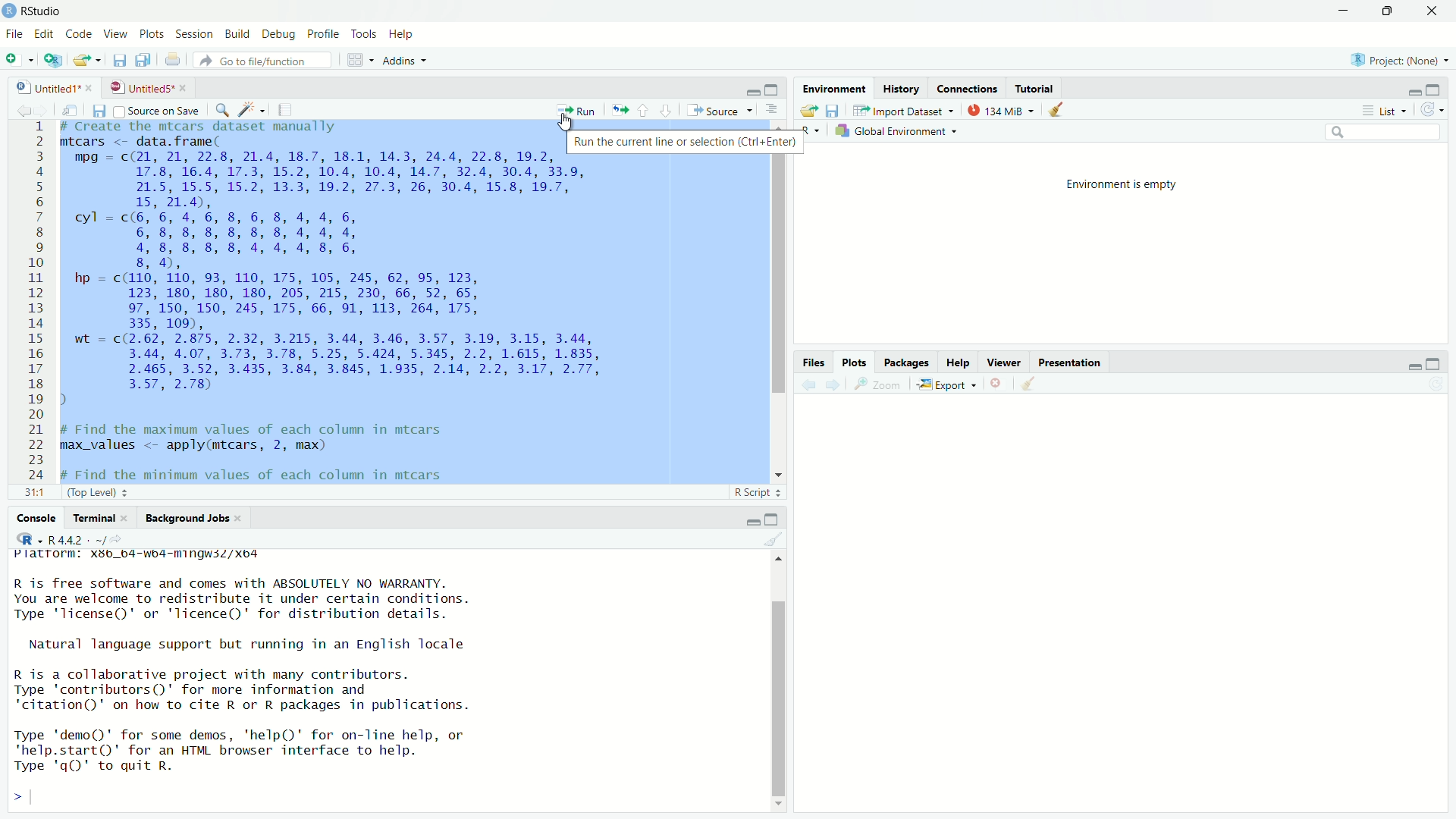 The image size is (1456, 819). What do you see at coordinates (223, 111) in the screenshot?
I see `search` at bounding box center [223, 111].